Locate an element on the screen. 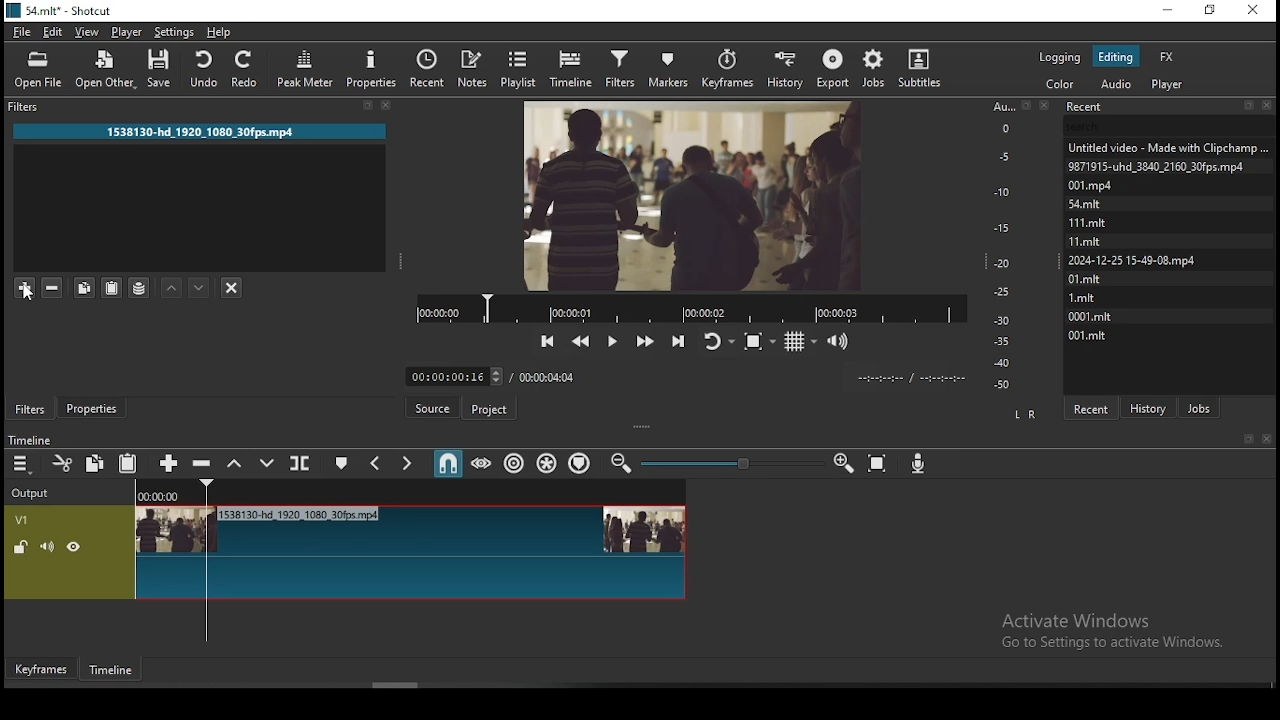  split at playhead is located at coordinates (297, 463).